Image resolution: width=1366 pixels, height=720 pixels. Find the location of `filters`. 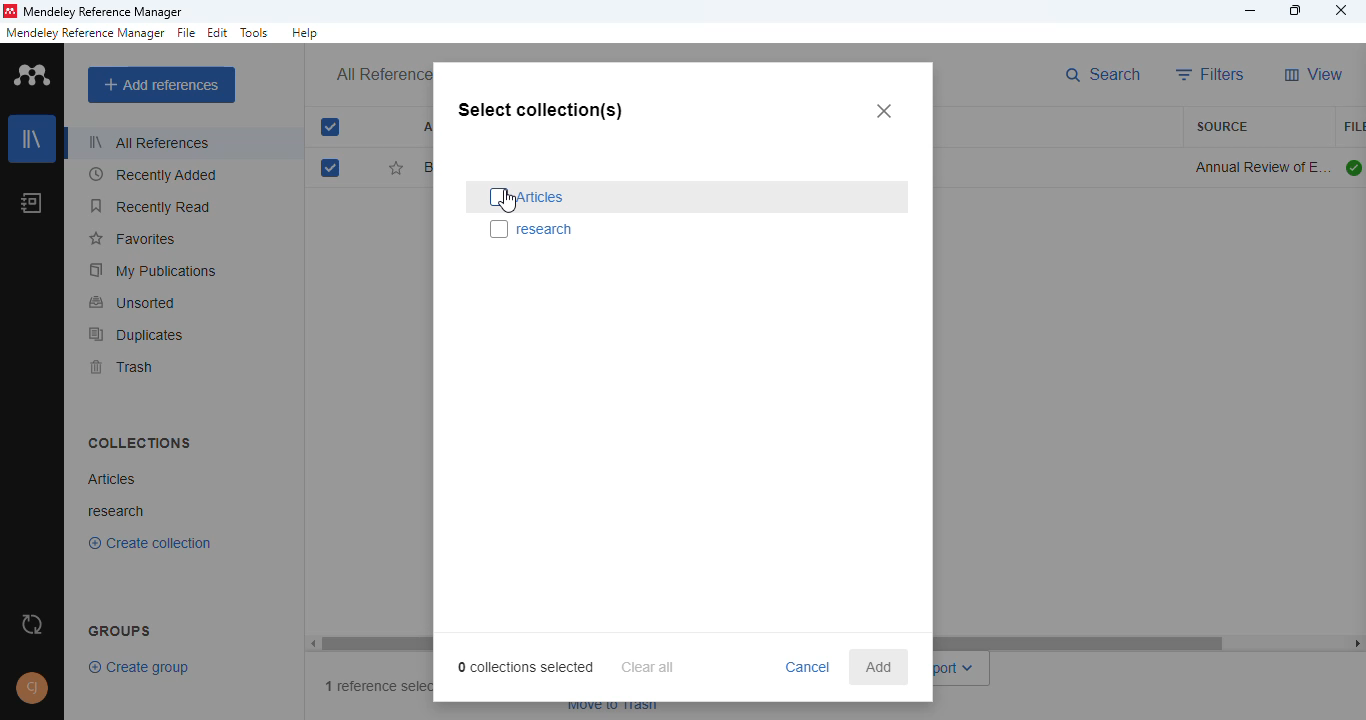

filters is located at coordinates (1211, 74).